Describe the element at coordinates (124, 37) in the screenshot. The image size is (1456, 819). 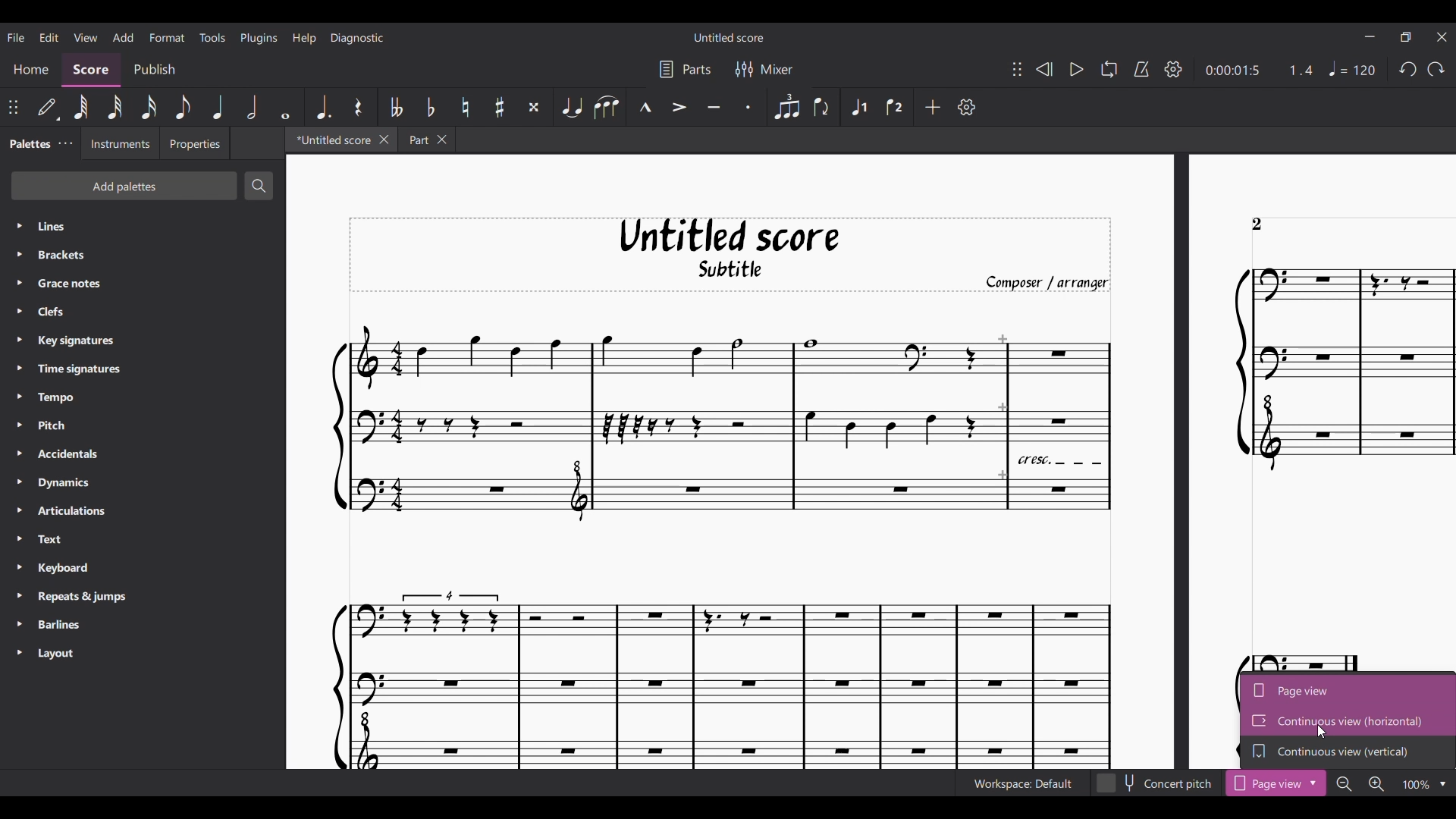
I see `Add menu` at that location.